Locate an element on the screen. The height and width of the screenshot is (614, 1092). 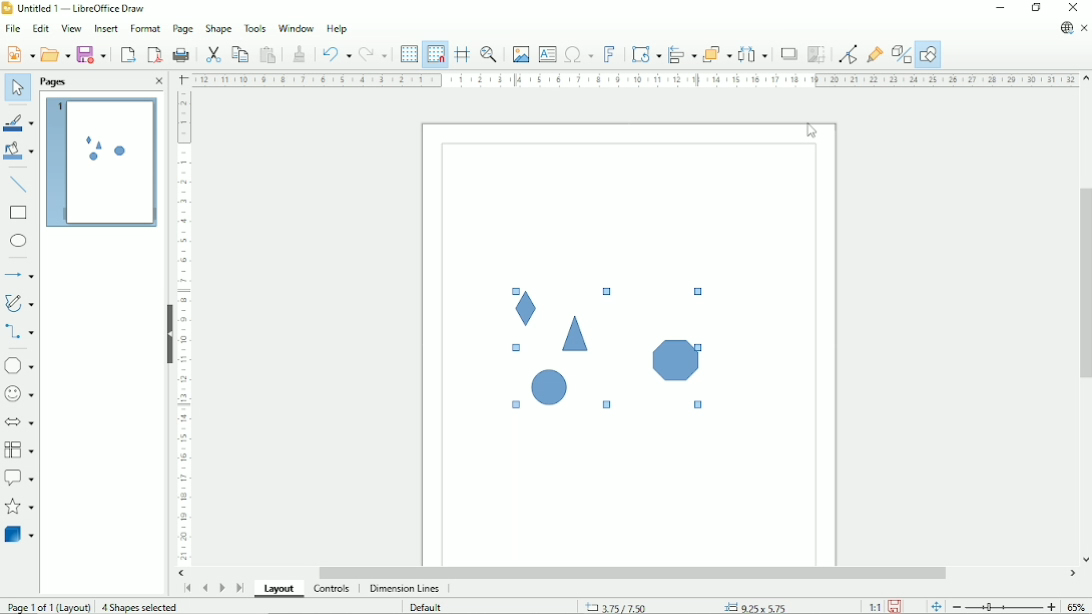
Paste is located at coordinates (268, 54).